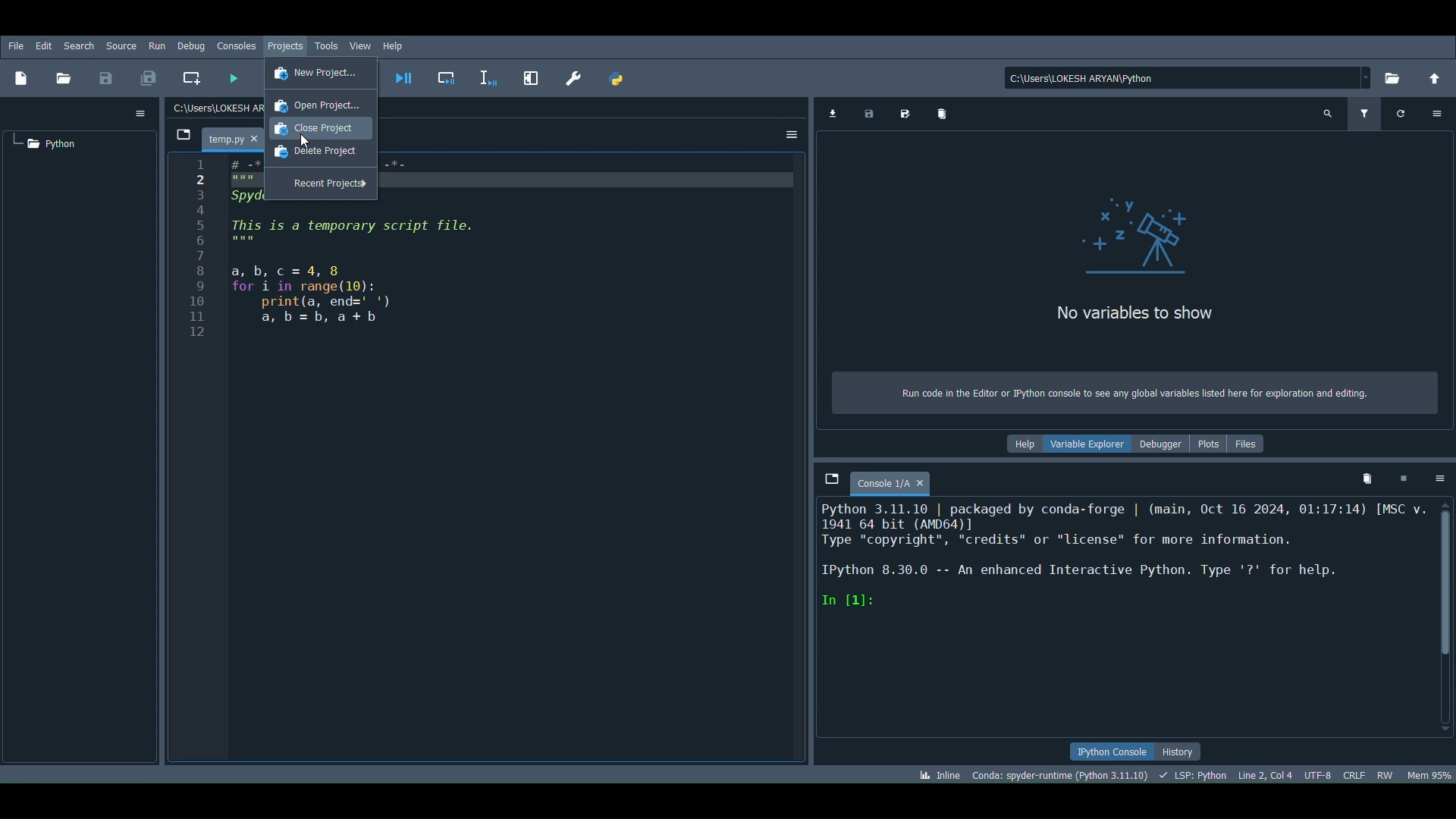  What do you see at coordinates (1356, 773) in the screenshot?
I see `File EOL status` at bounding box center [1356, 773].